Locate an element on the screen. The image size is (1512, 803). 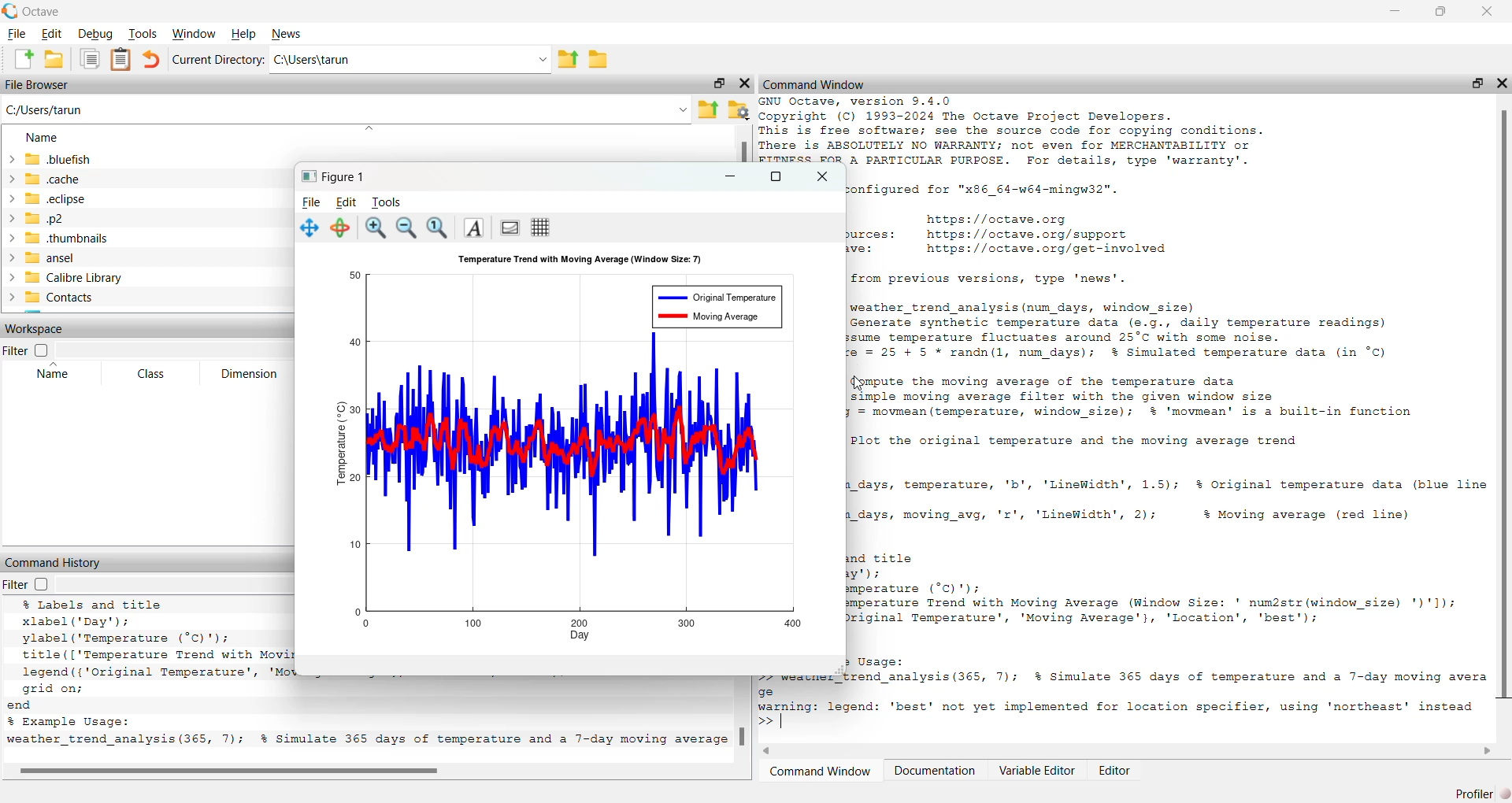
Move Chart is located at coordinates (311, 228).